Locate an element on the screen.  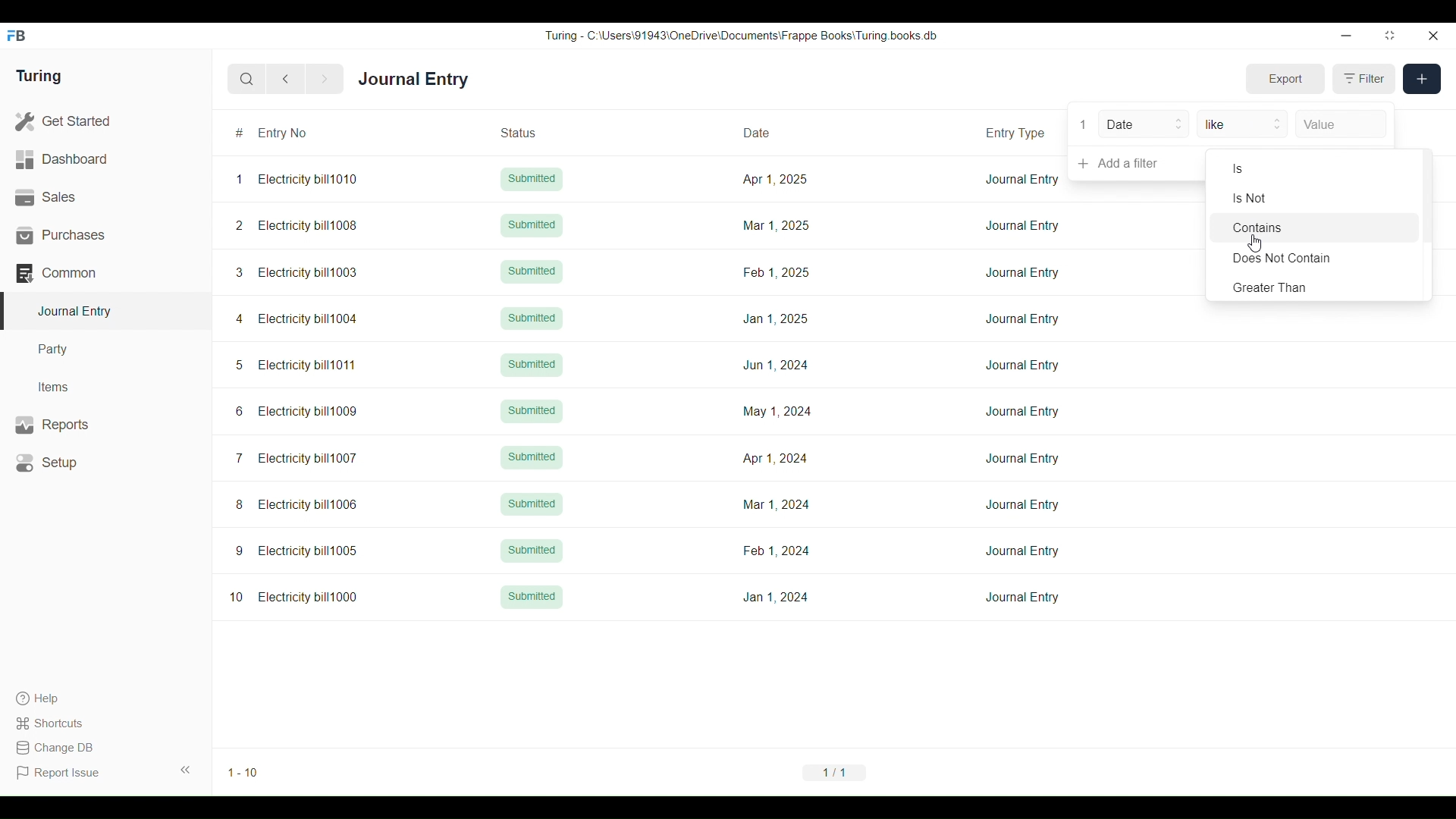
Filter is located at coordinates (1364, 79).